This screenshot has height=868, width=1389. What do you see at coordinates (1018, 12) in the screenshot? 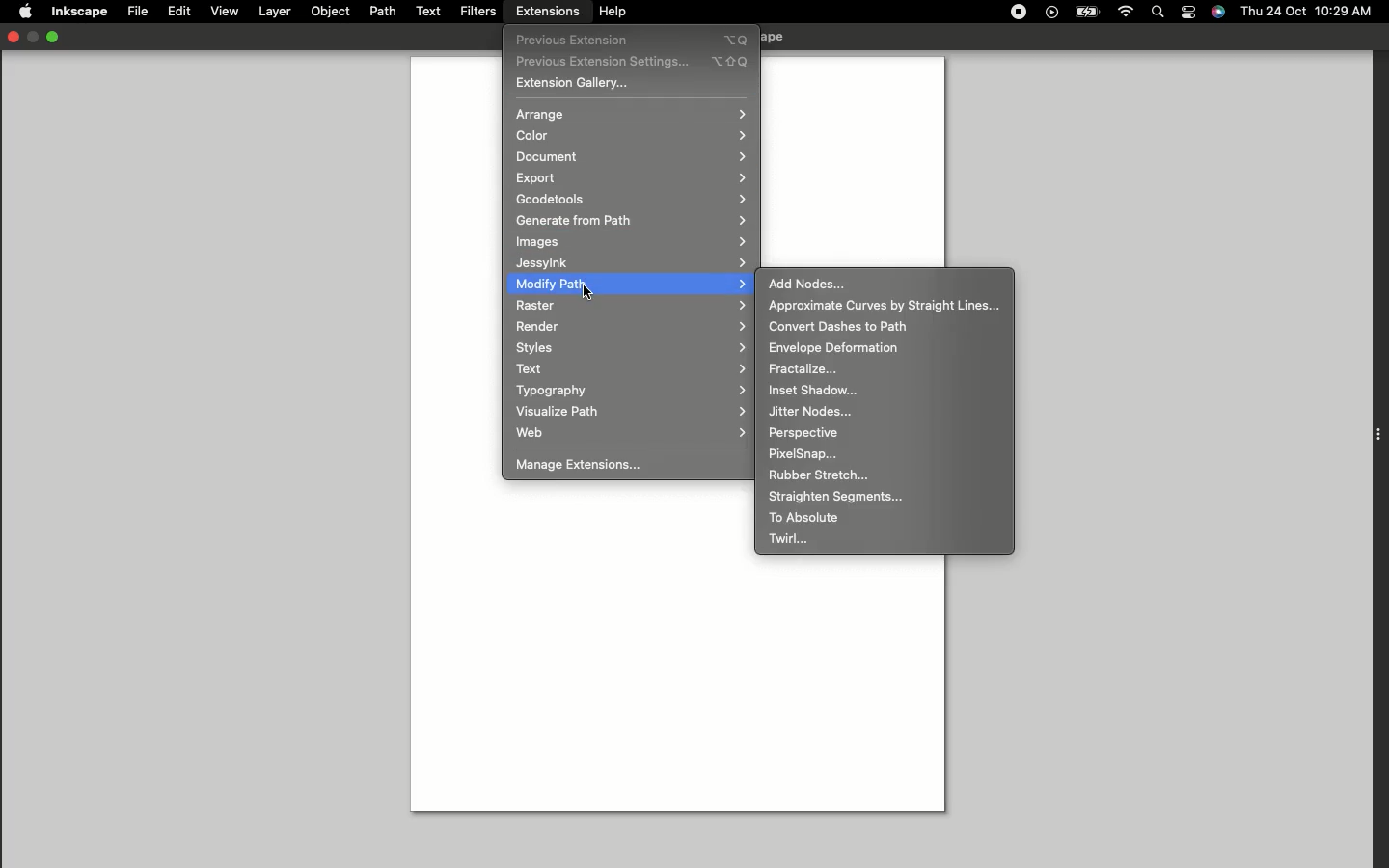
I see `Record` at bounding box center [1018, 12].